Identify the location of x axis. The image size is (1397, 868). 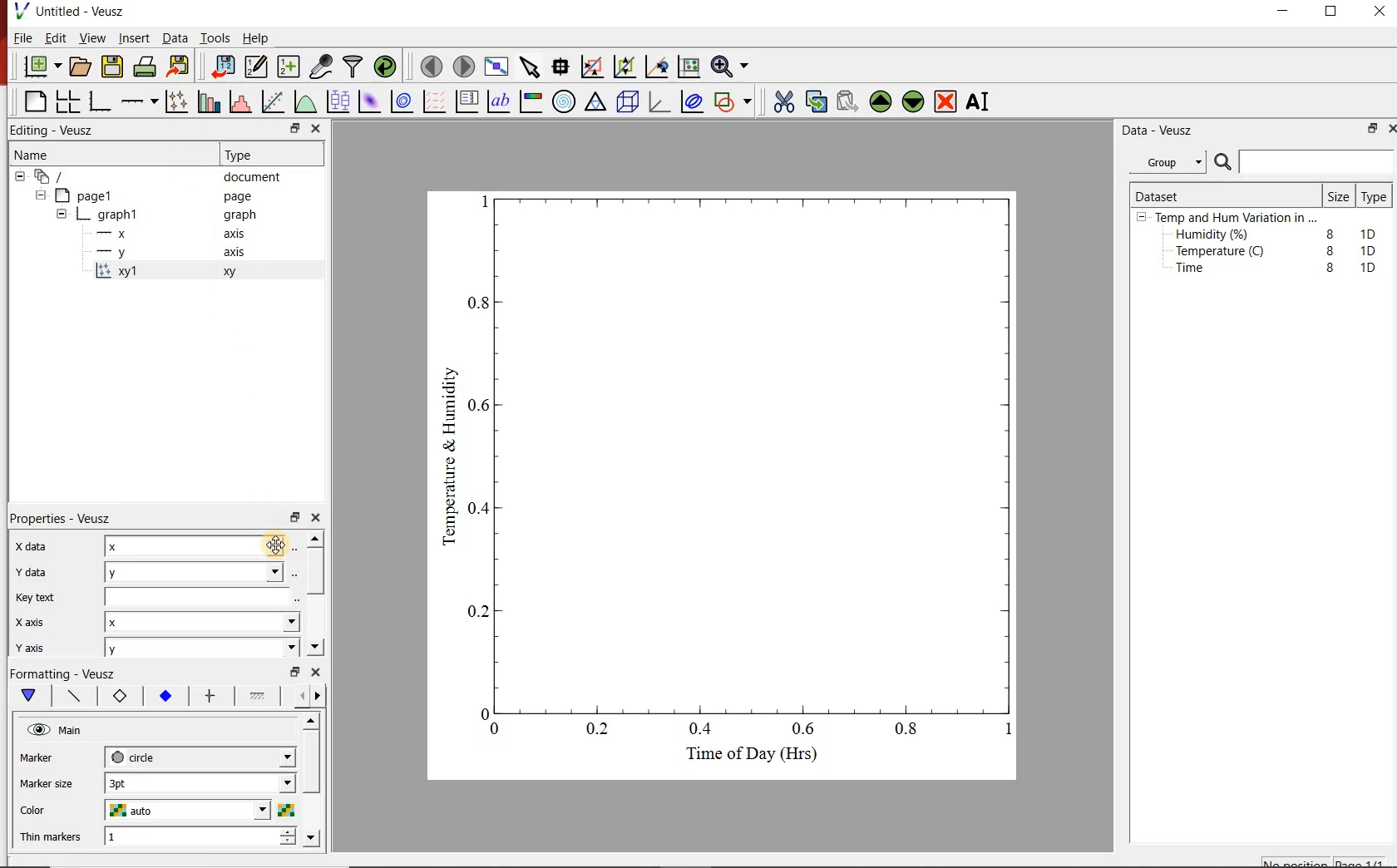
(40, 621).